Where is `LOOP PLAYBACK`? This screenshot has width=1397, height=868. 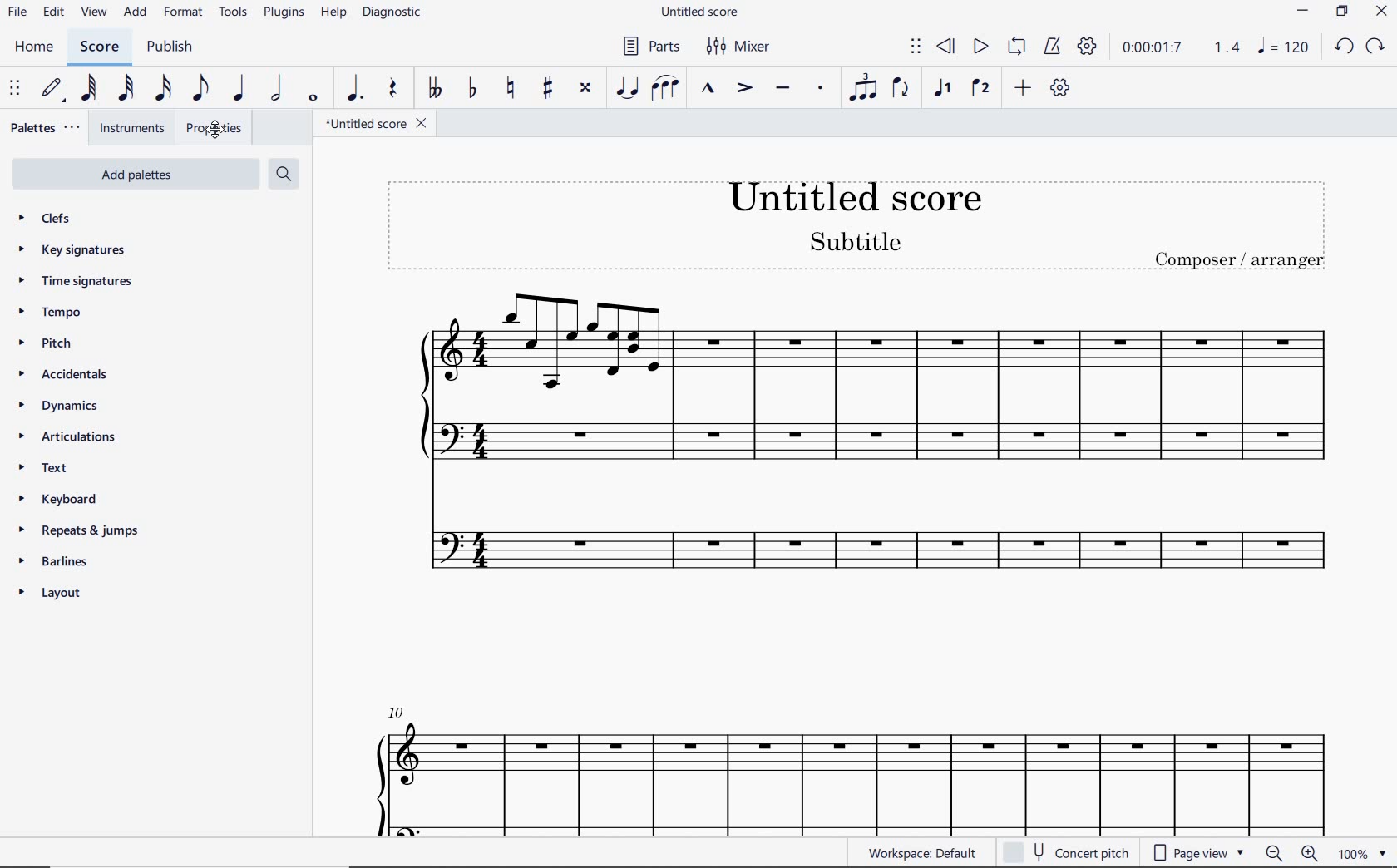 LOOP PLAYBACK is located at coordinates (1016, 48).